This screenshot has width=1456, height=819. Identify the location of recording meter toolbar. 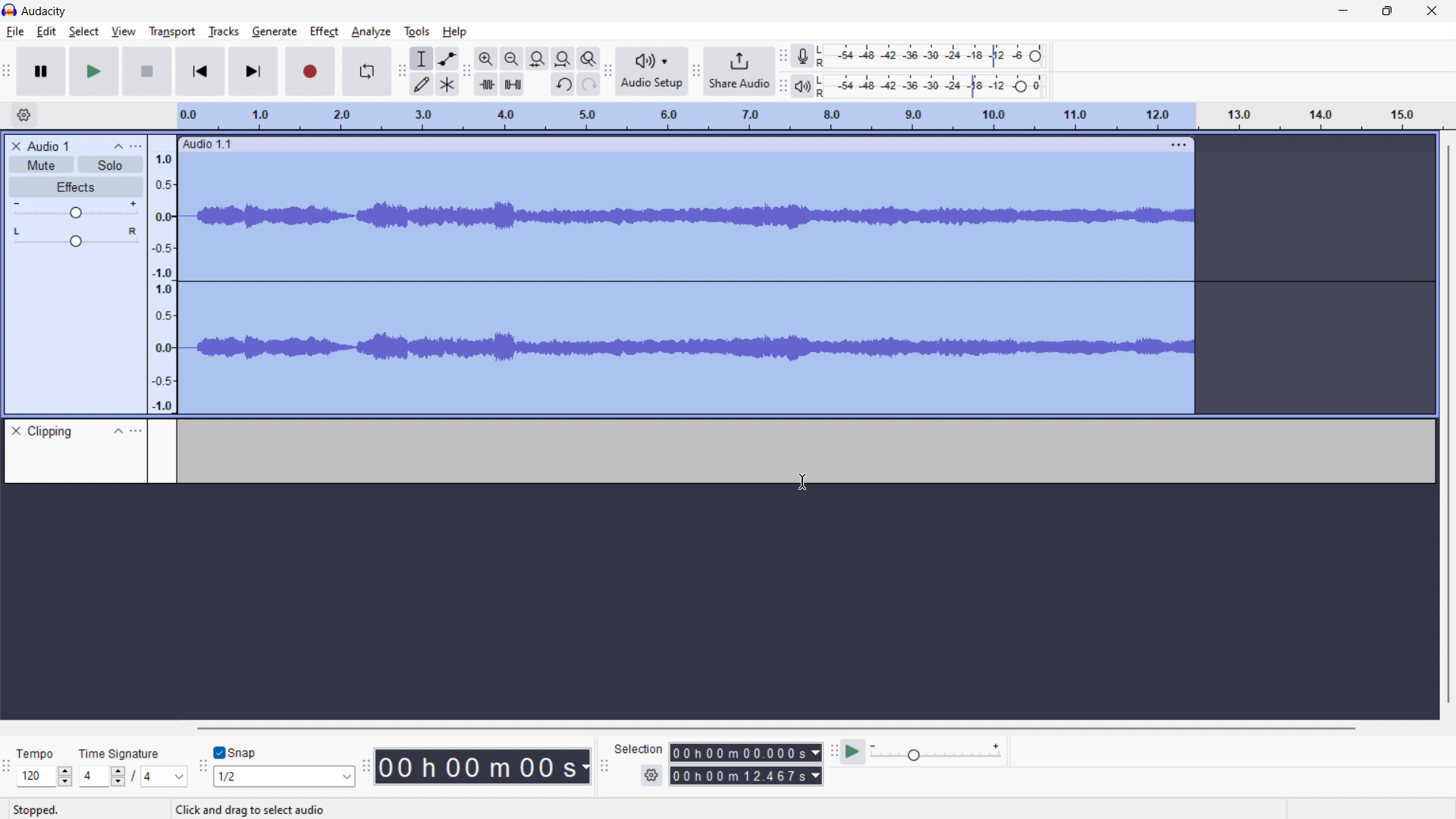
(782, 58).